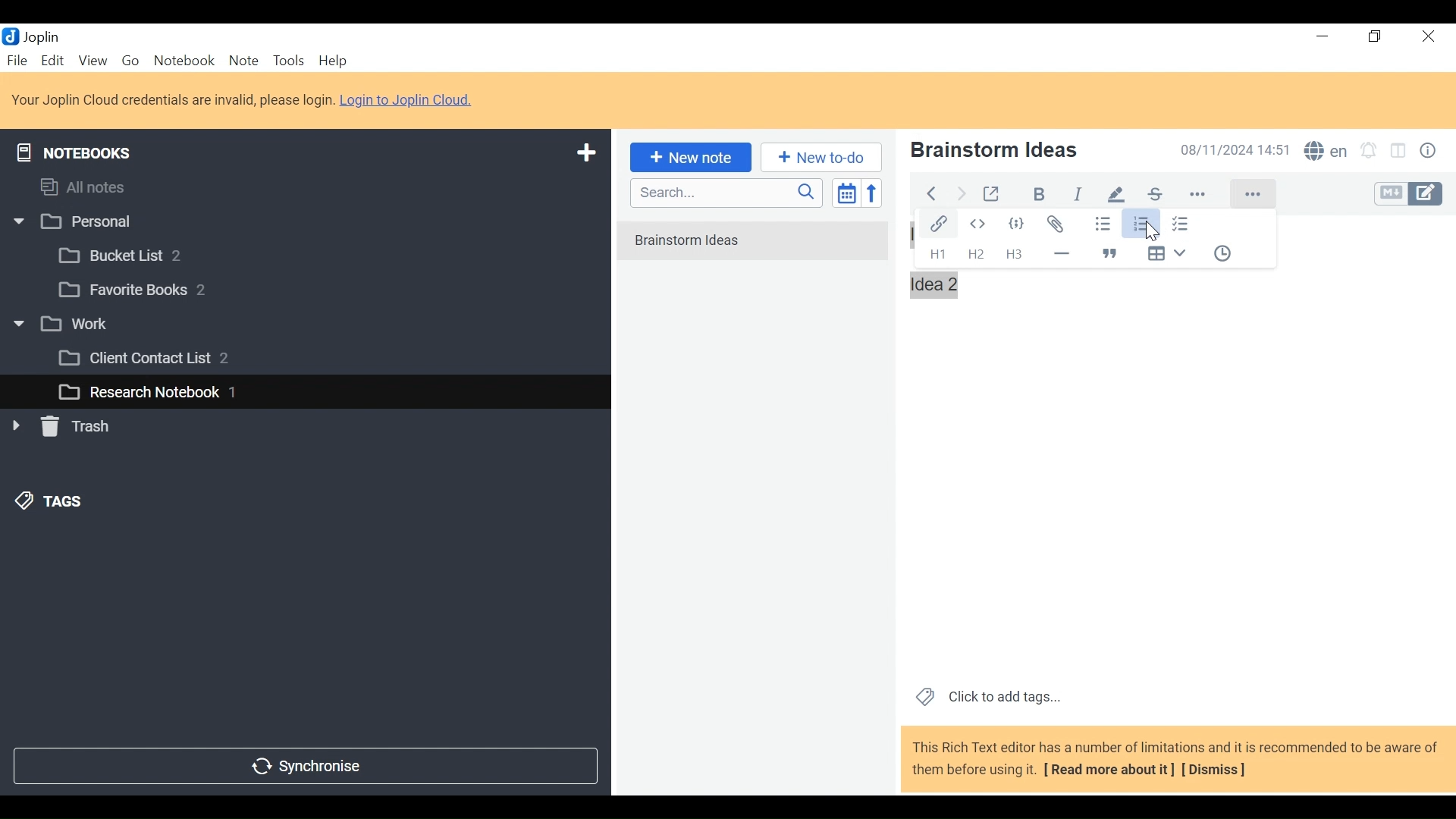  Describe the element at coordinates (54, 60) in the screenshot. I see `Edit` at that location.